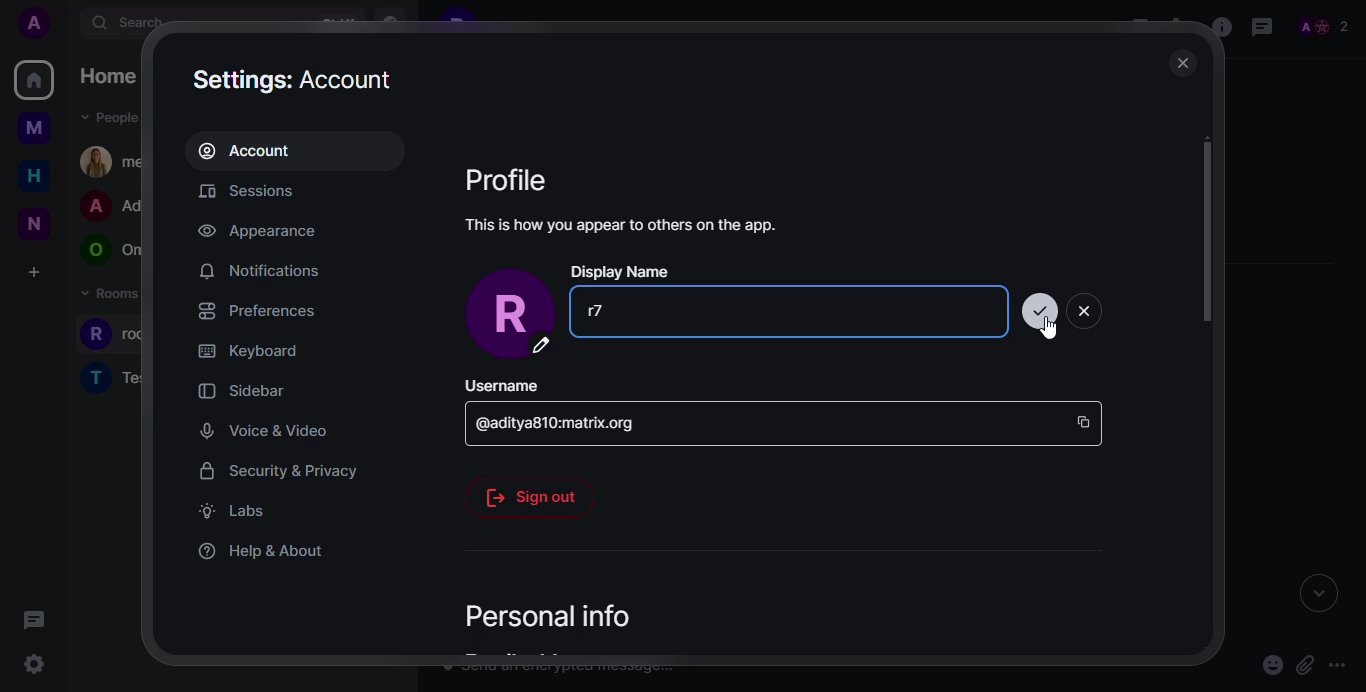 The width and height of the screenshot is (1366, 692). Describe the element at coordinates (32, 24) in the screenshot. I see `profile` at that location.